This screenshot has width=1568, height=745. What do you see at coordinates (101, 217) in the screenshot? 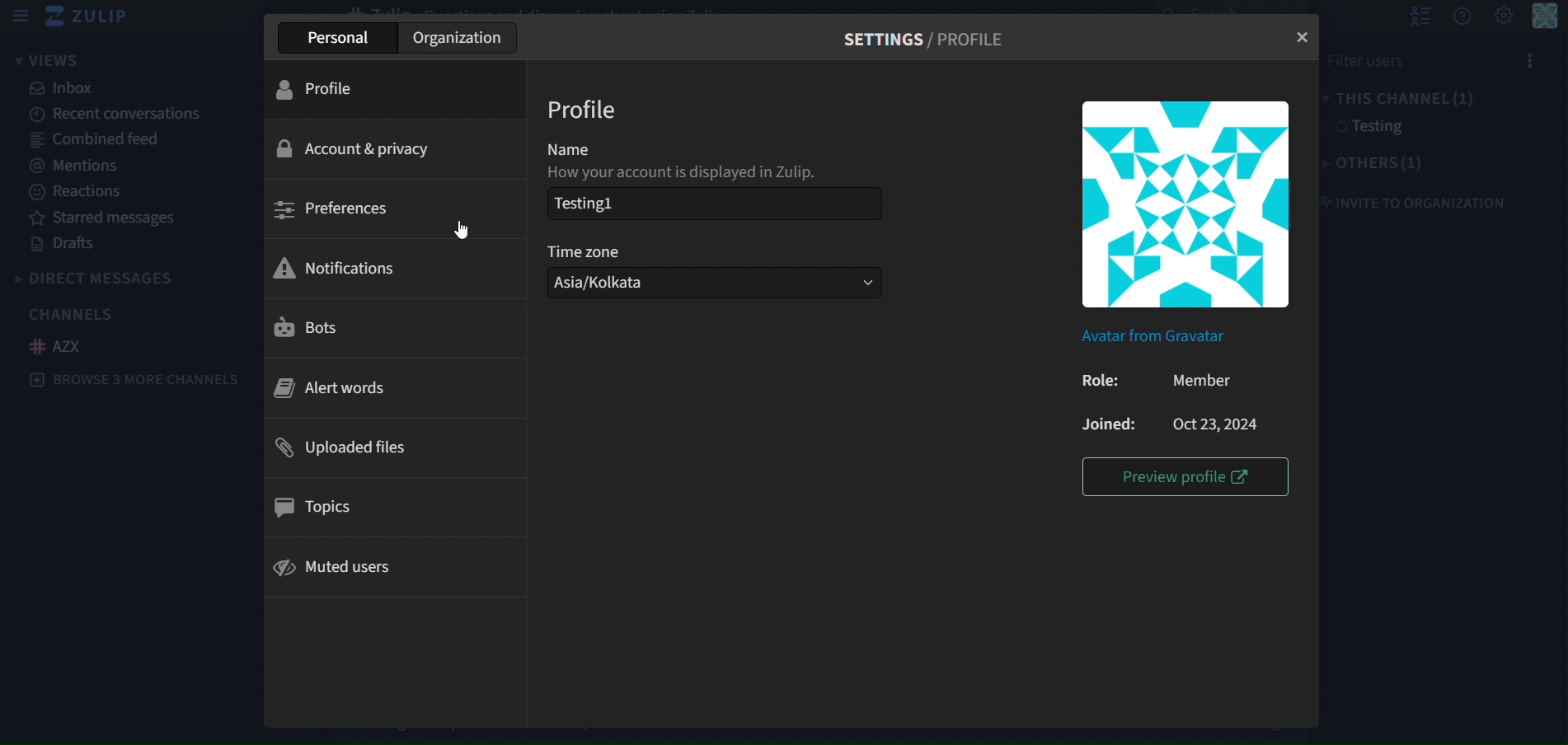
I see `starred messages` at bounding box center [101, 217].